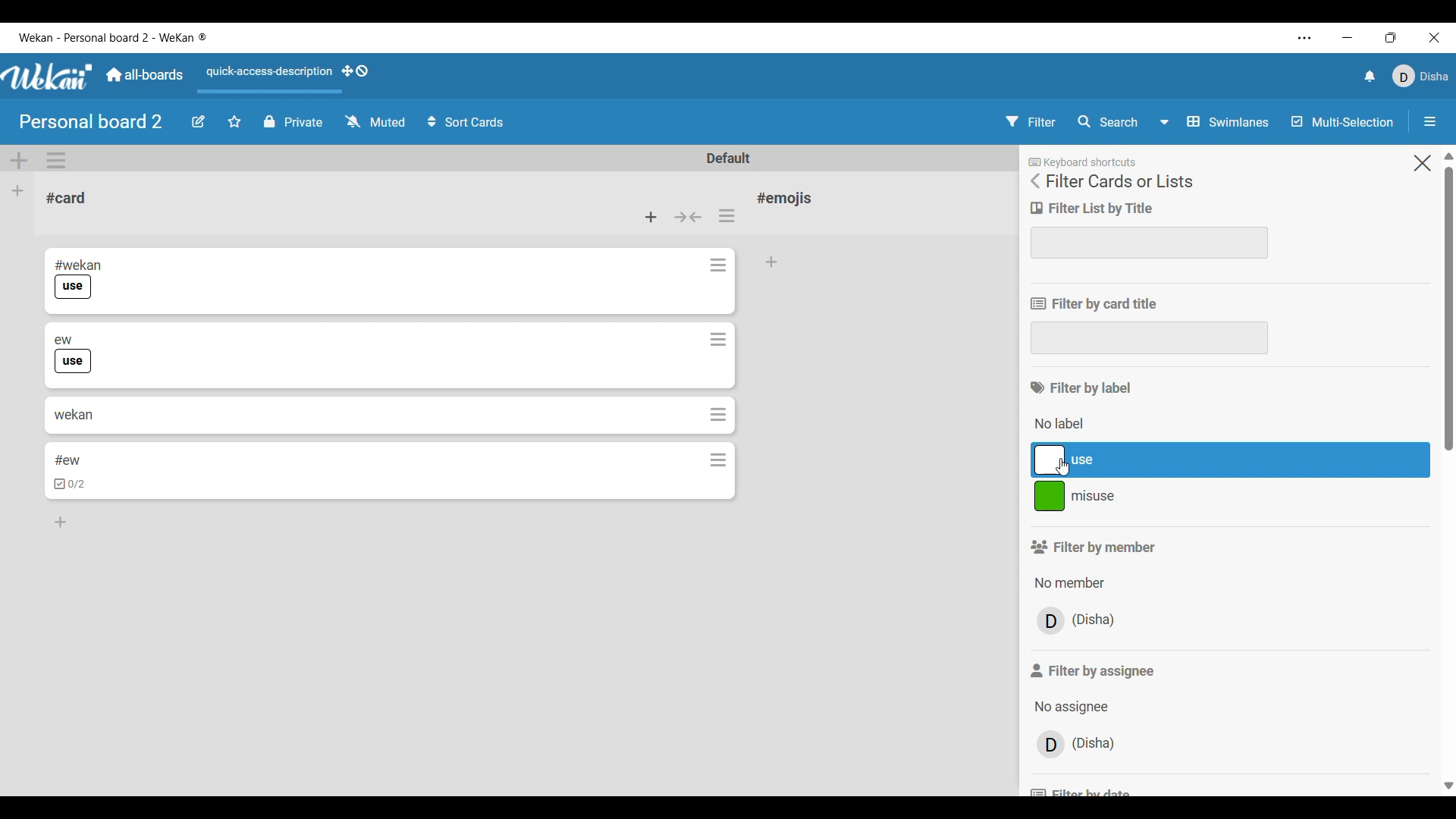 The width and height of the screenshot is (1456, 819). I want to click on Card actions for respective card, so click(718, 340).